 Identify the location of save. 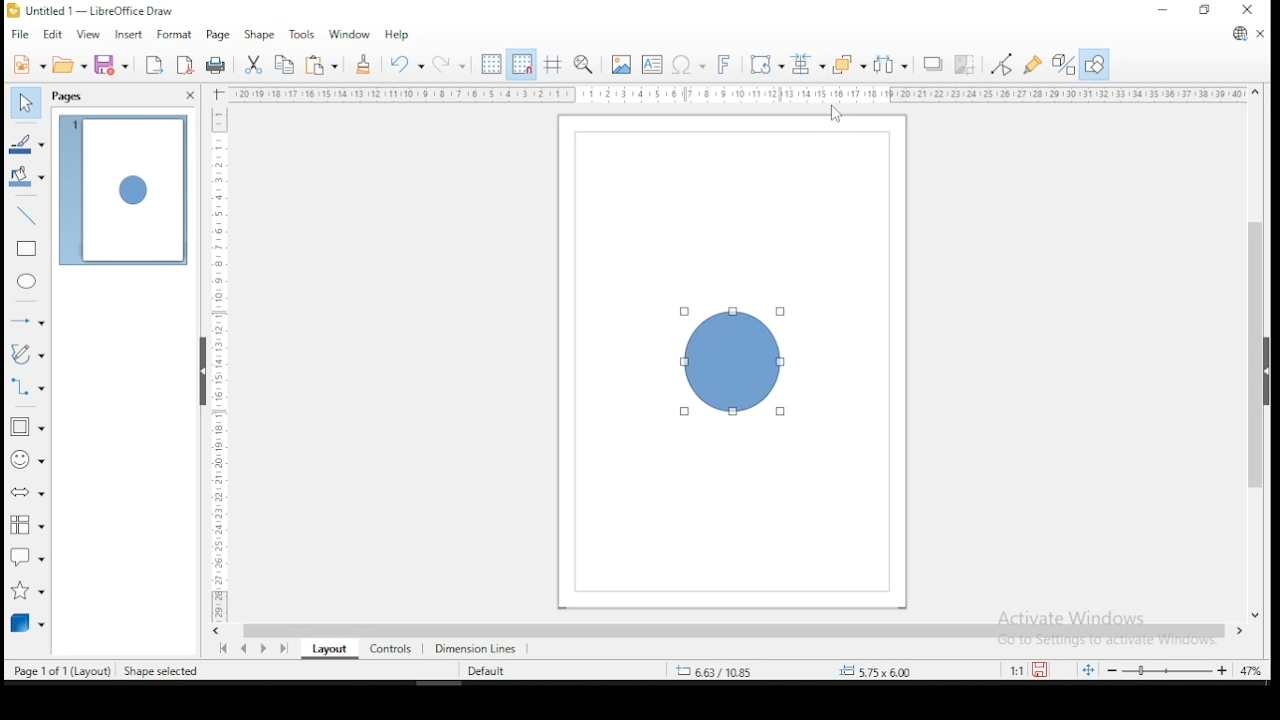
(1042, 670).